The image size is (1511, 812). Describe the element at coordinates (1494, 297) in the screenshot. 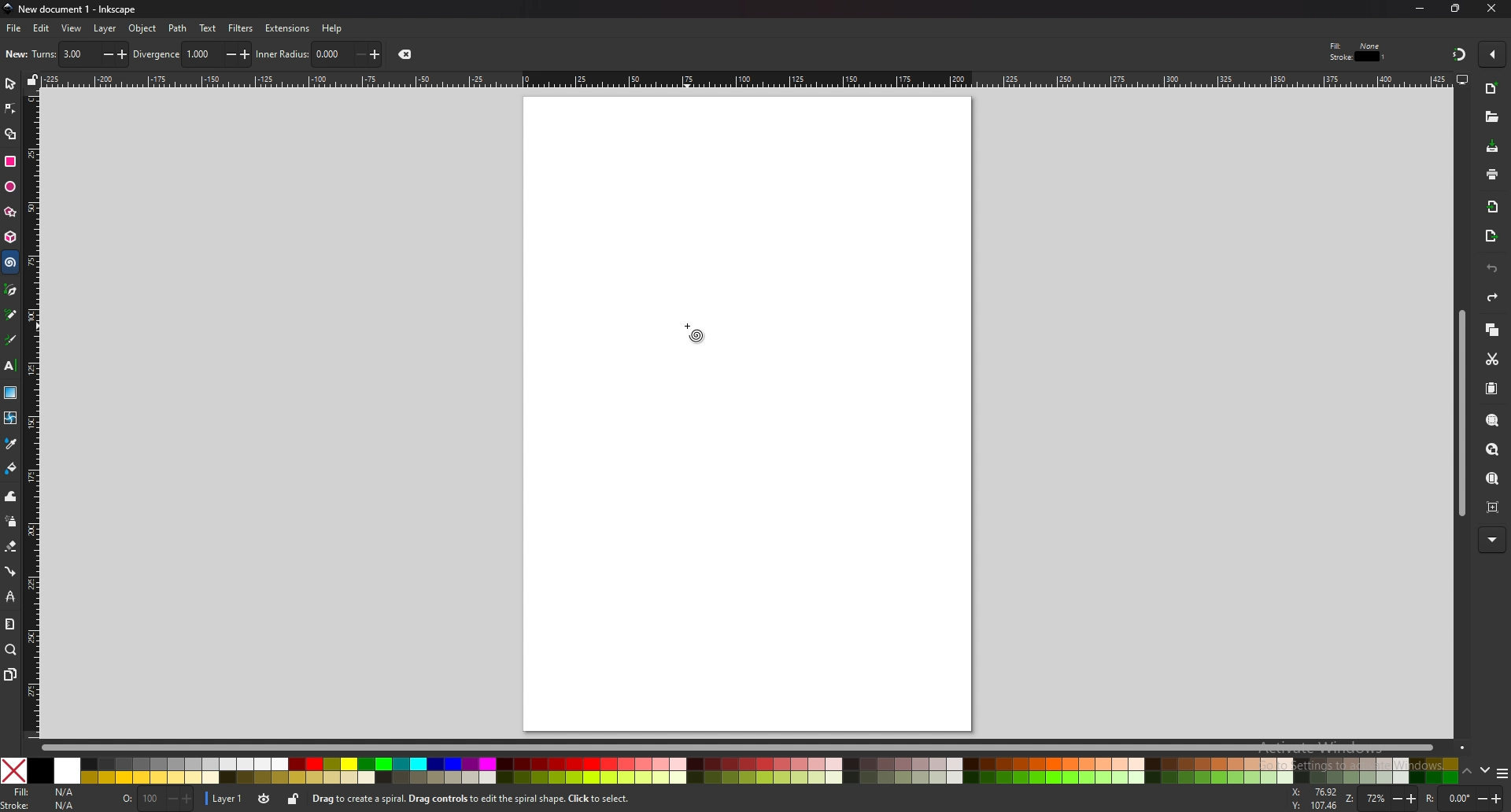

I see `redo` at that location.